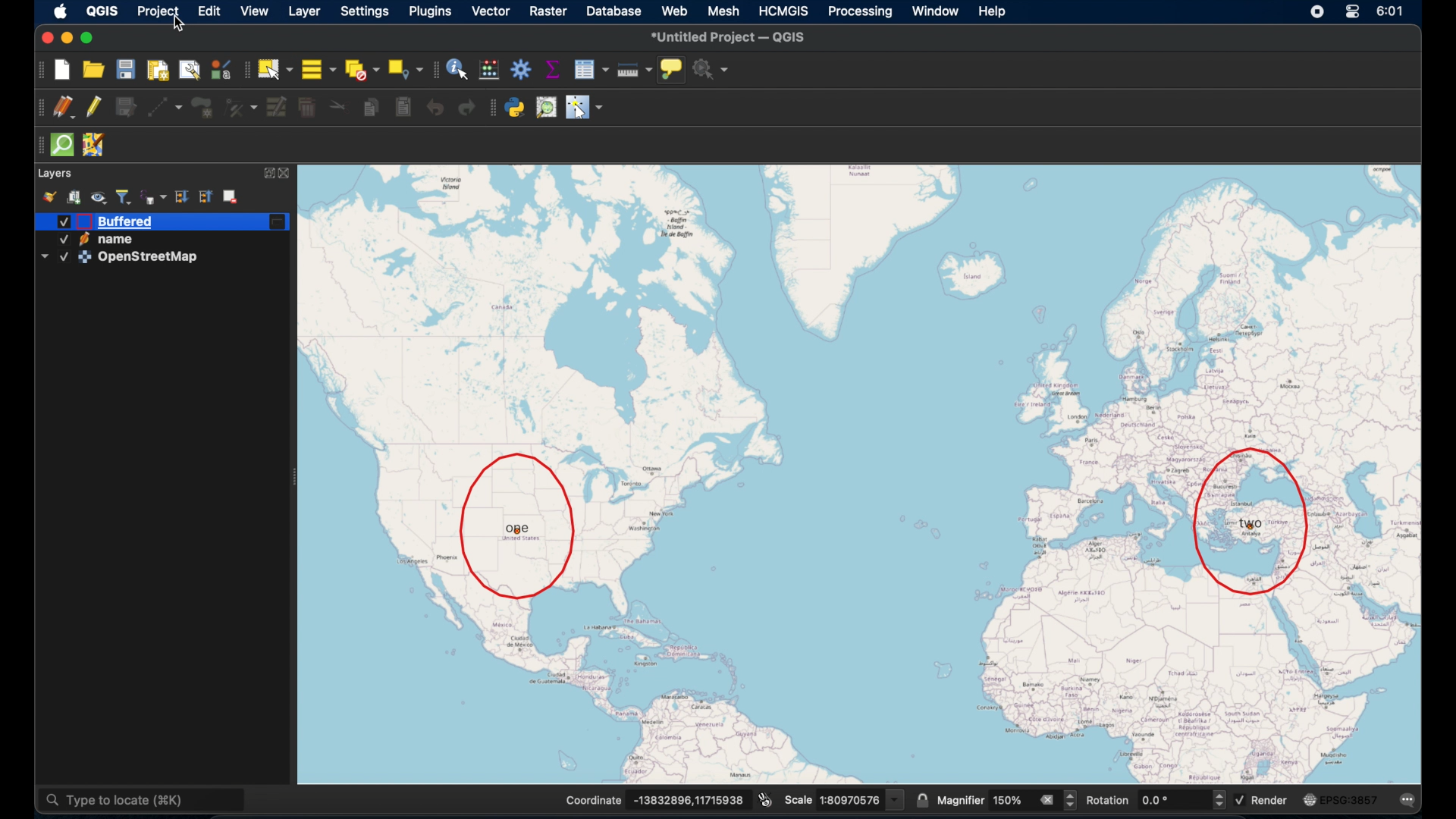 This screenshot has width=1456, height=819. Describe the element at coordinates (181, 27) in the screenshot. I see `cursor` at that location.